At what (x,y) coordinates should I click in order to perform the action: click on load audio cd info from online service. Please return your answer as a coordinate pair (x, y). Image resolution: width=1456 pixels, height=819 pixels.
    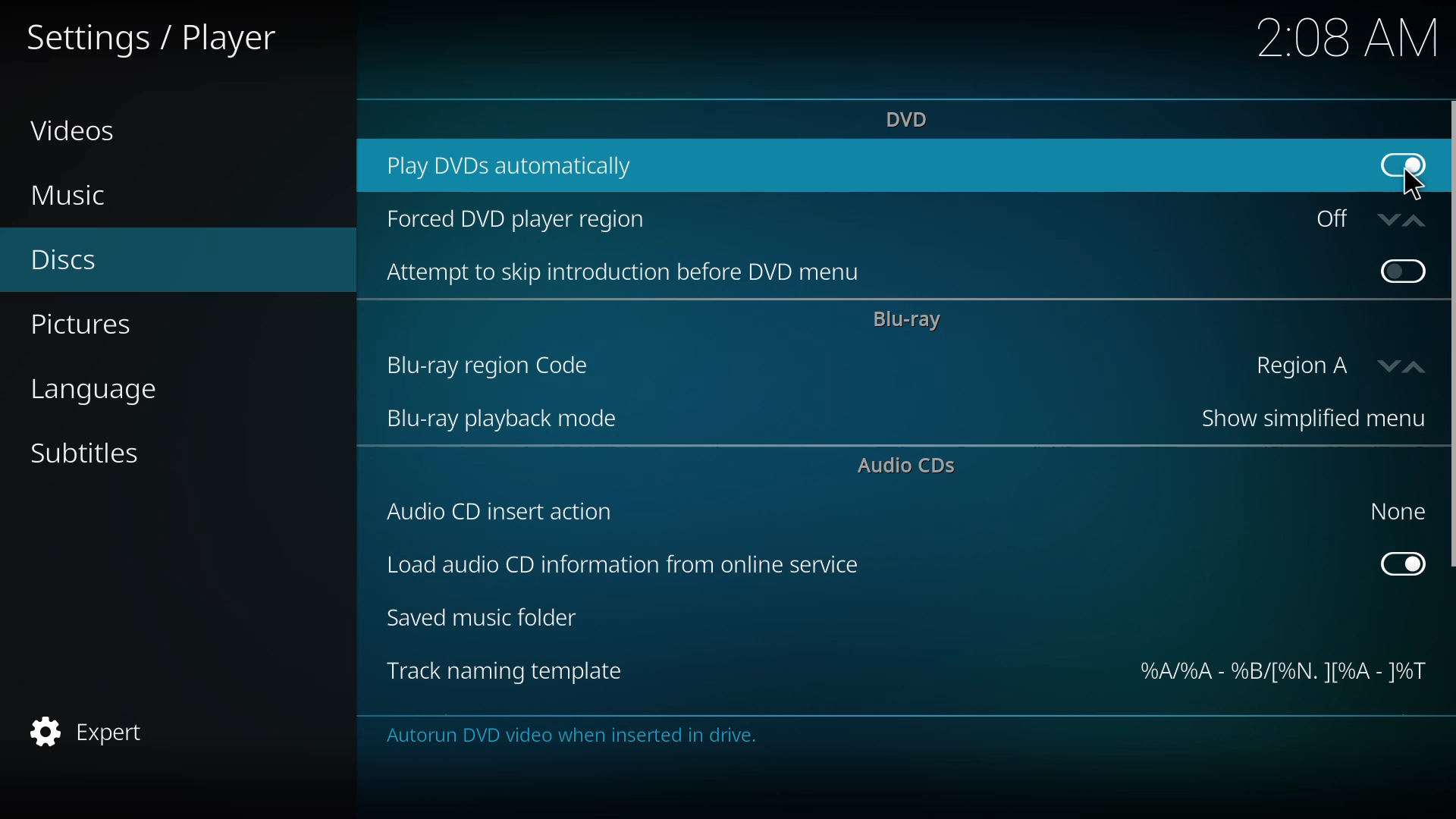
    Looking at the image, I should click on (620, 567).